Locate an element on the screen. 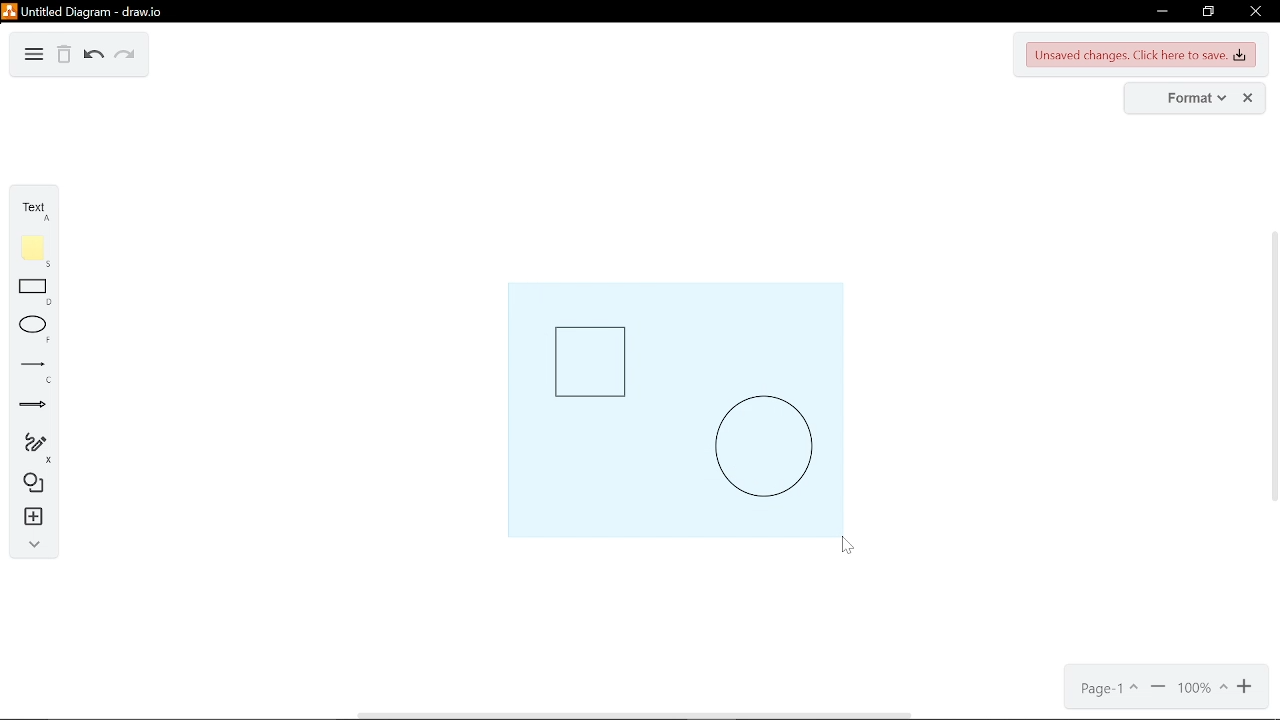 This screenshot has height=720, width=1280. untitled duagram - draw.io is located at coordinates (91, 12).